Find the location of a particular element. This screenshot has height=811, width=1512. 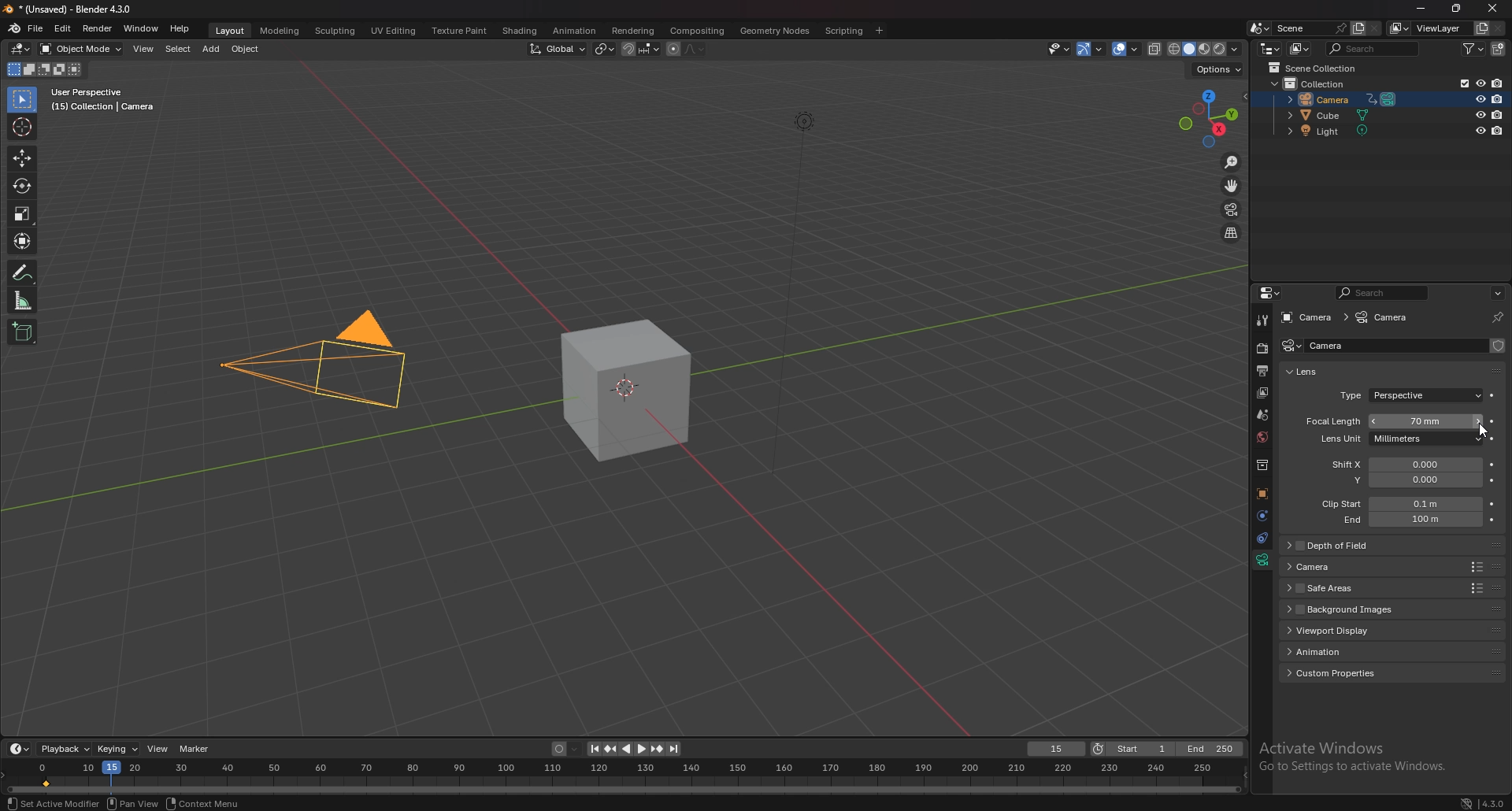

shift y is located at coordinates (1402, 480).